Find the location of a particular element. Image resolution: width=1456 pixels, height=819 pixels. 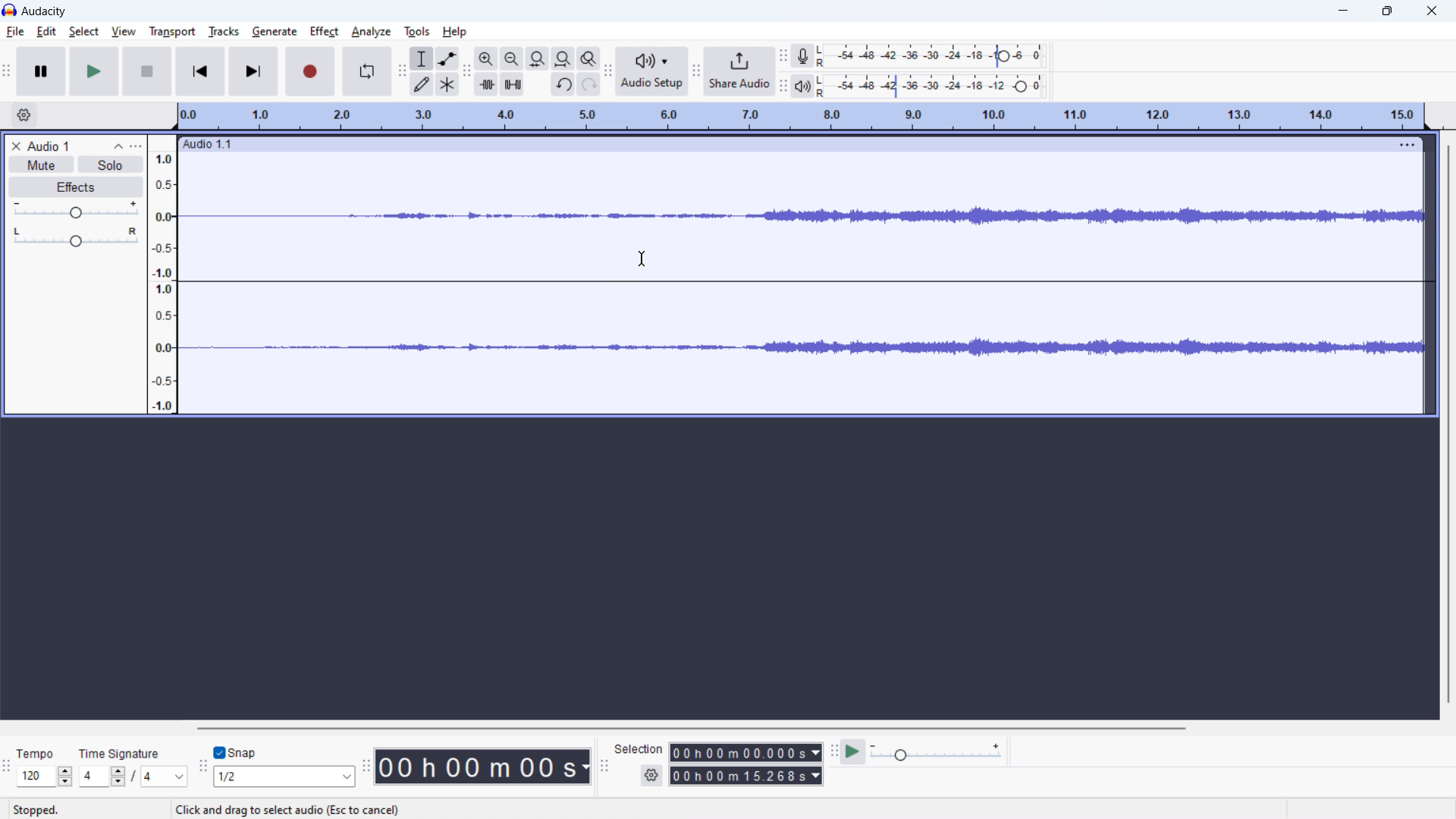

effects is located at coordinates (77, 187).